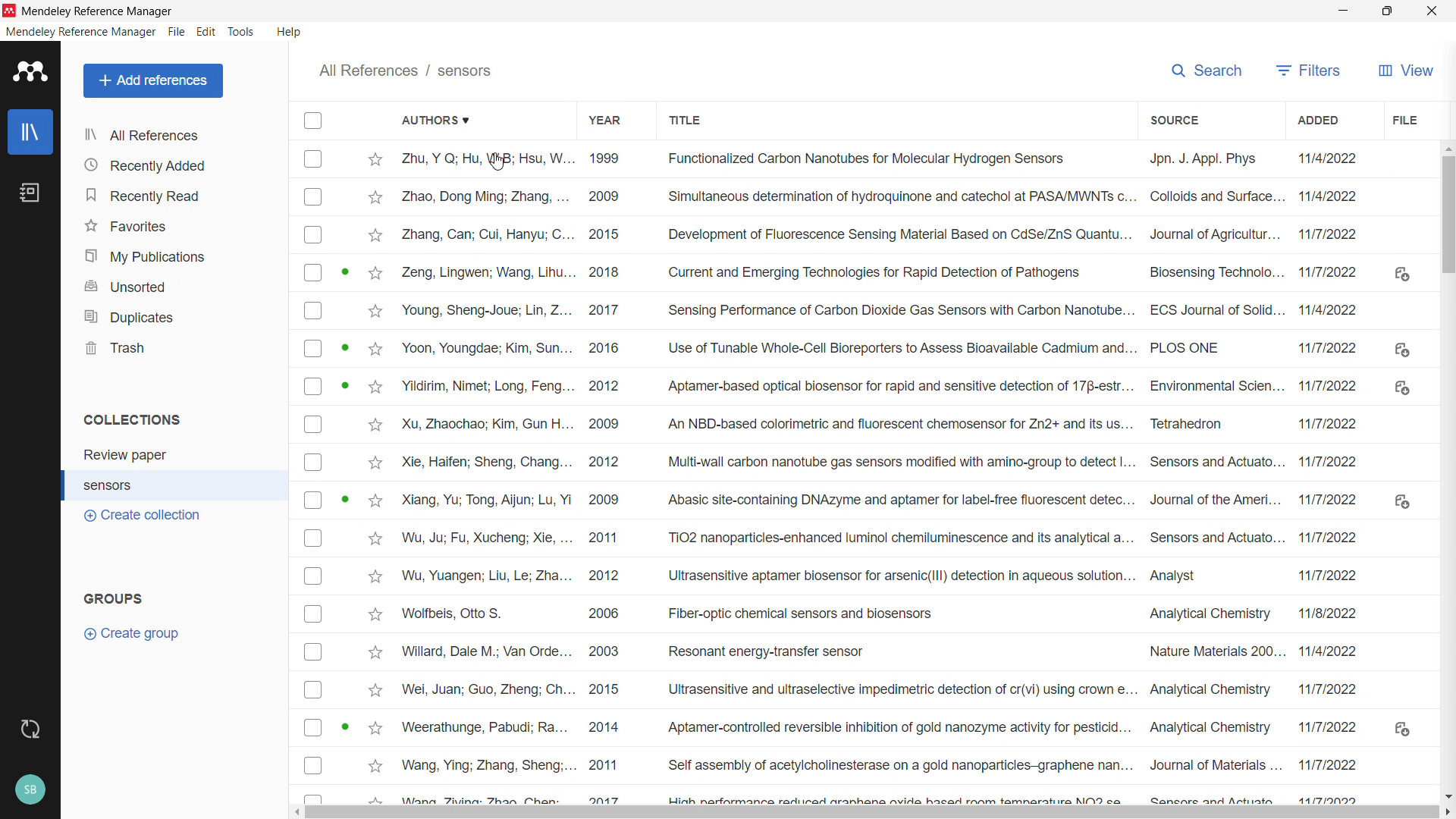 This screenshot has height=819, width=1456. What do you see at coordinates (98, 11) in the screenshot?
I see `title ` at bounding box center [98, 11].